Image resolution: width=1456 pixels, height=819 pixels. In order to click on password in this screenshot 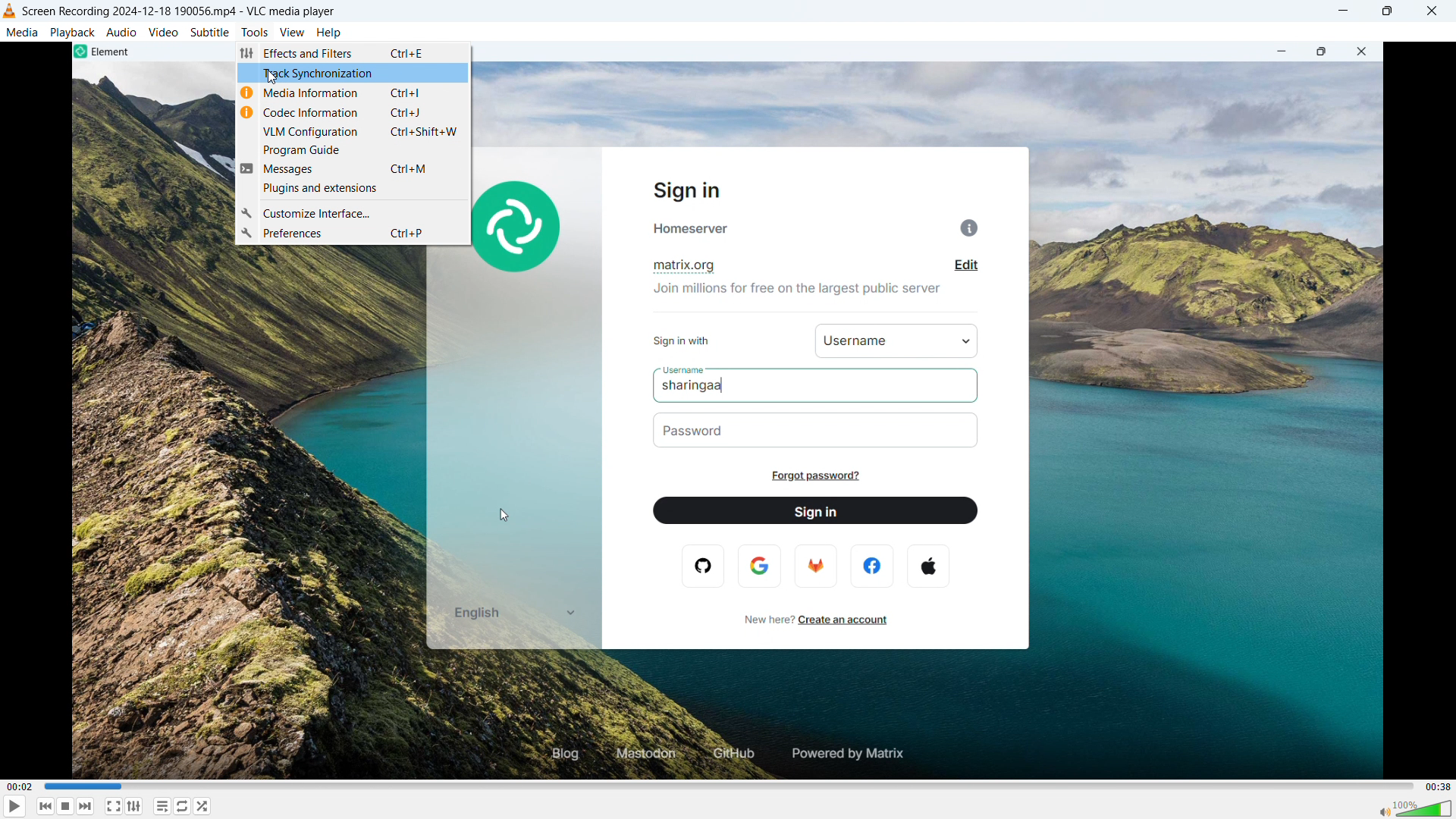, I will do `click(820, 430)`.